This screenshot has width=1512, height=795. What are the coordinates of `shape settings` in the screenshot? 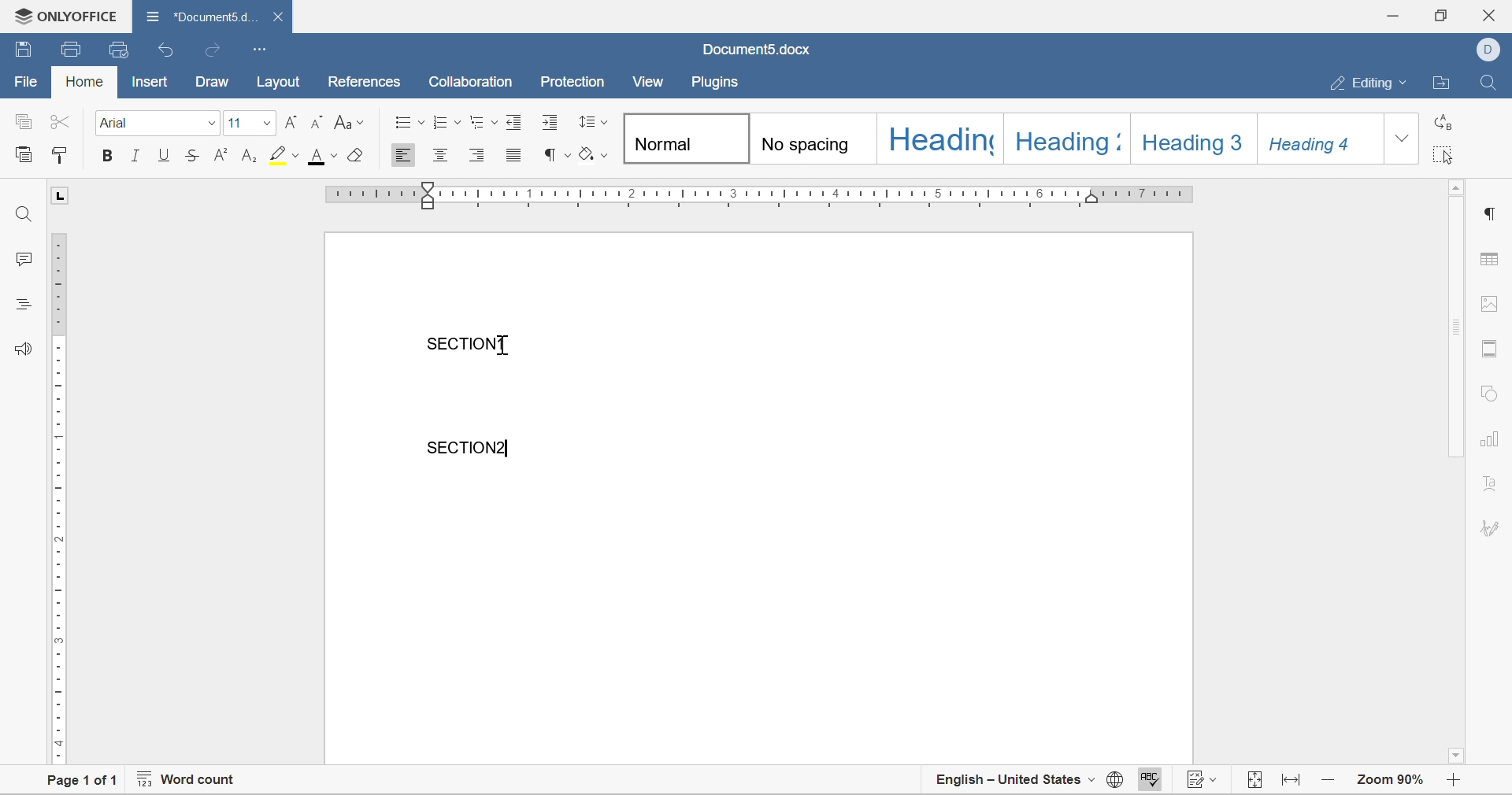 It's located at (1488, 393).